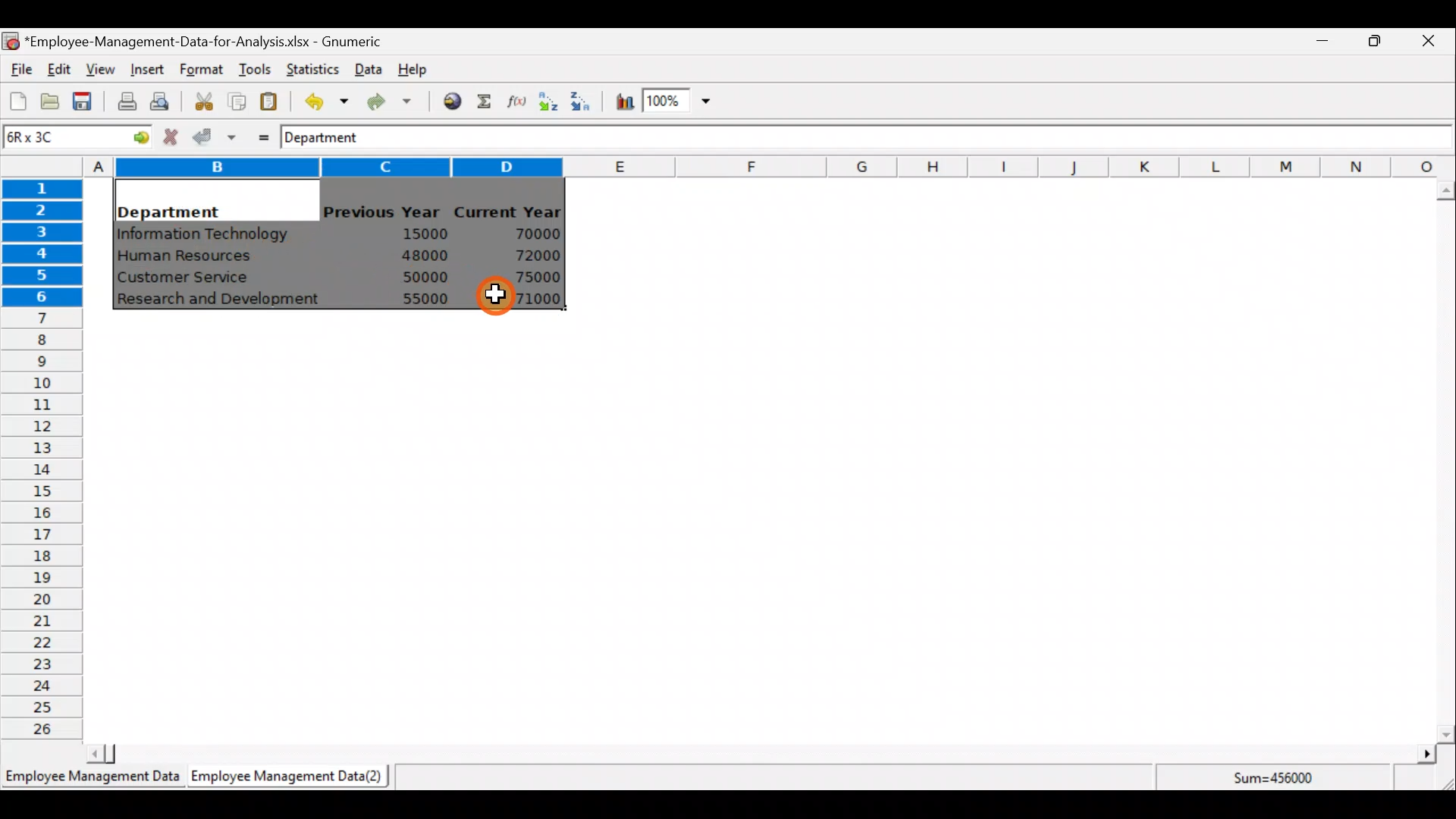 The height and width of the screenshot is (819, 1456). Describe the element at coordinates (208, 40) in the screenshot. I see `‘Employee-Management-Data-for-Analysis.xlsx - Gnumeric` at that location.